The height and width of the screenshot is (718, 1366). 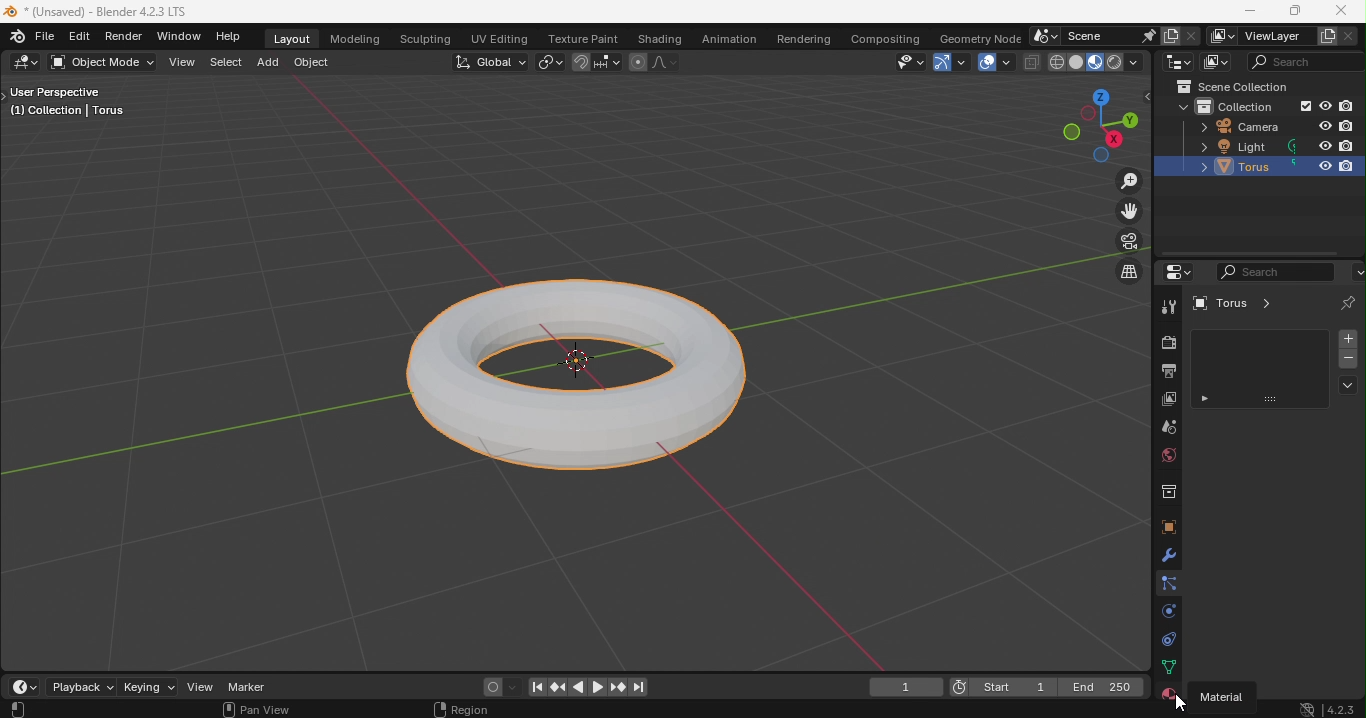 What do you see at coordinates (584, 37) in the screenshot?
I see `Texture paint` at bounding box center [584, 37].